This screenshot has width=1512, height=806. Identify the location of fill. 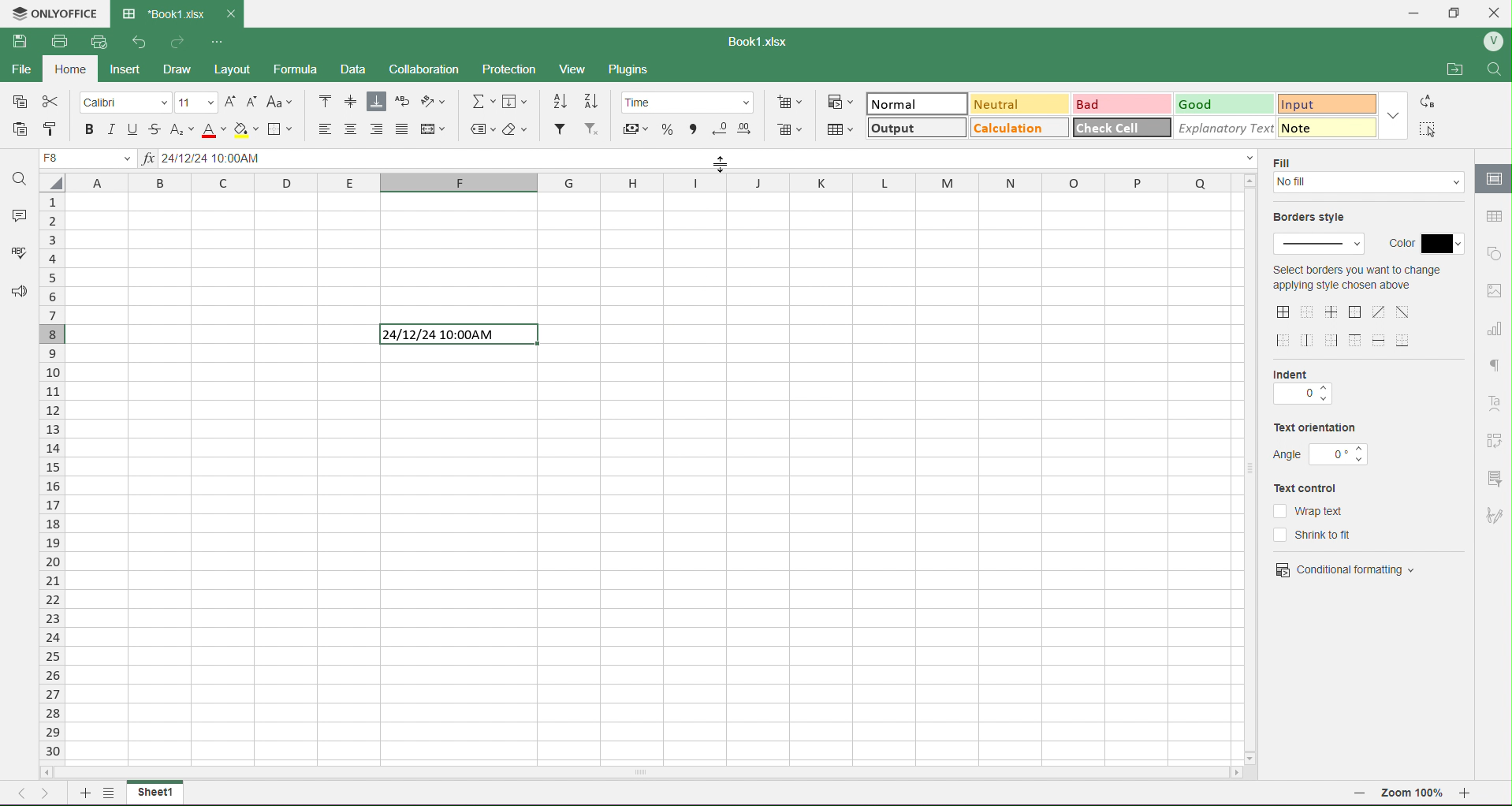
(1287, 162).